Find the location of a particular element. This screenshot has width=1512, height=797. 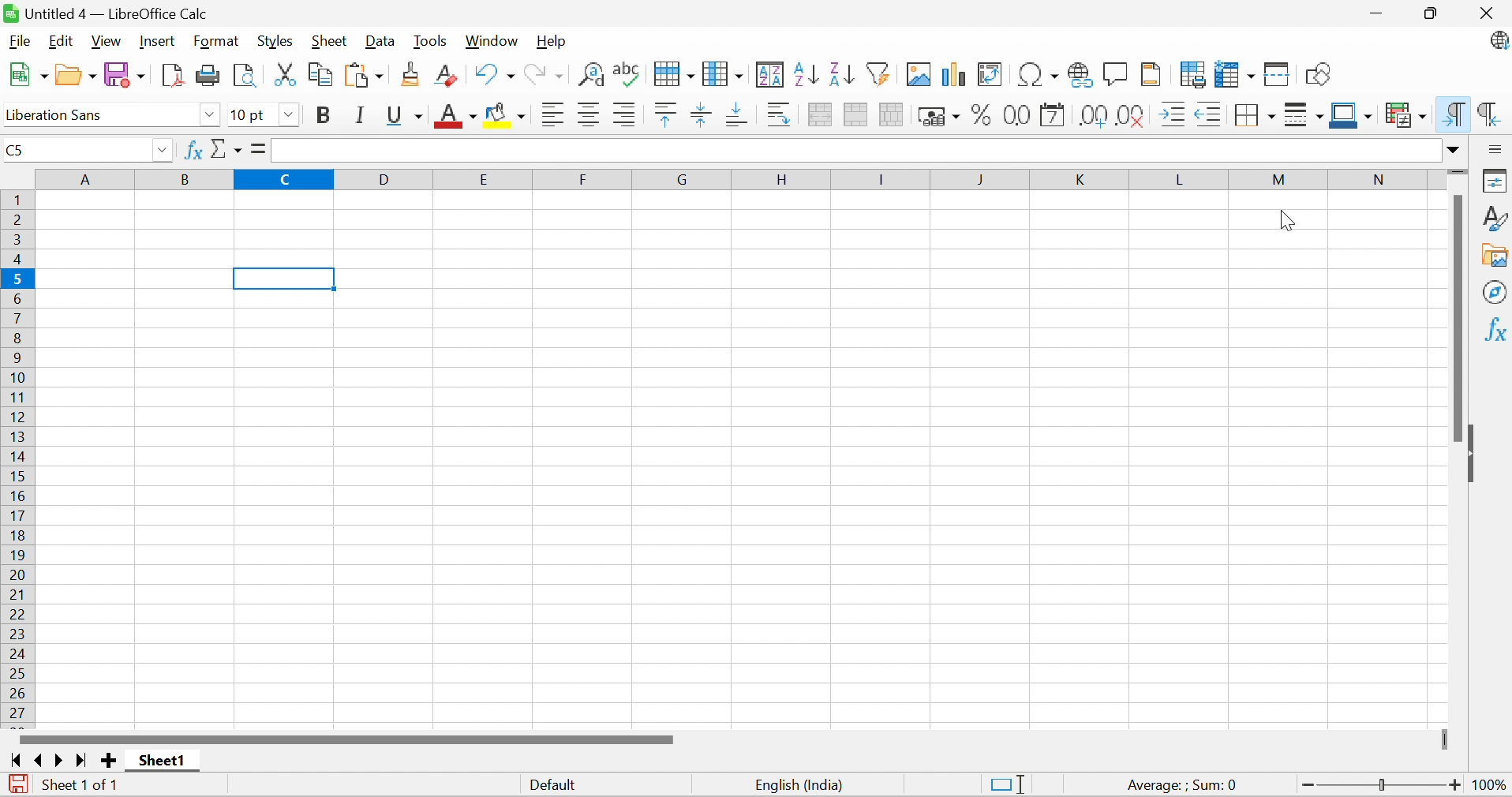

Font color is located at coordinates (458, 118).